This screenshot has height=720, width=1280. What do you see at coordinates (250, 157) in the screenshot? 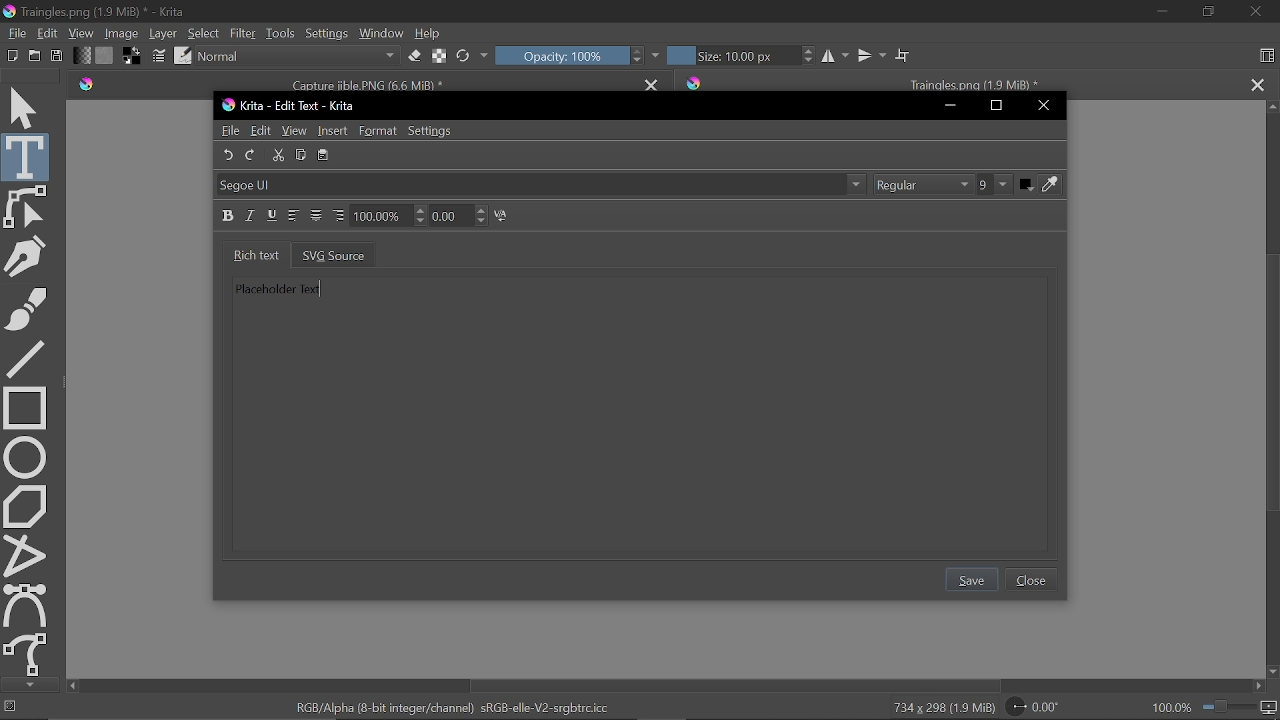
I see `Redo` at bounding box center [250, 157].